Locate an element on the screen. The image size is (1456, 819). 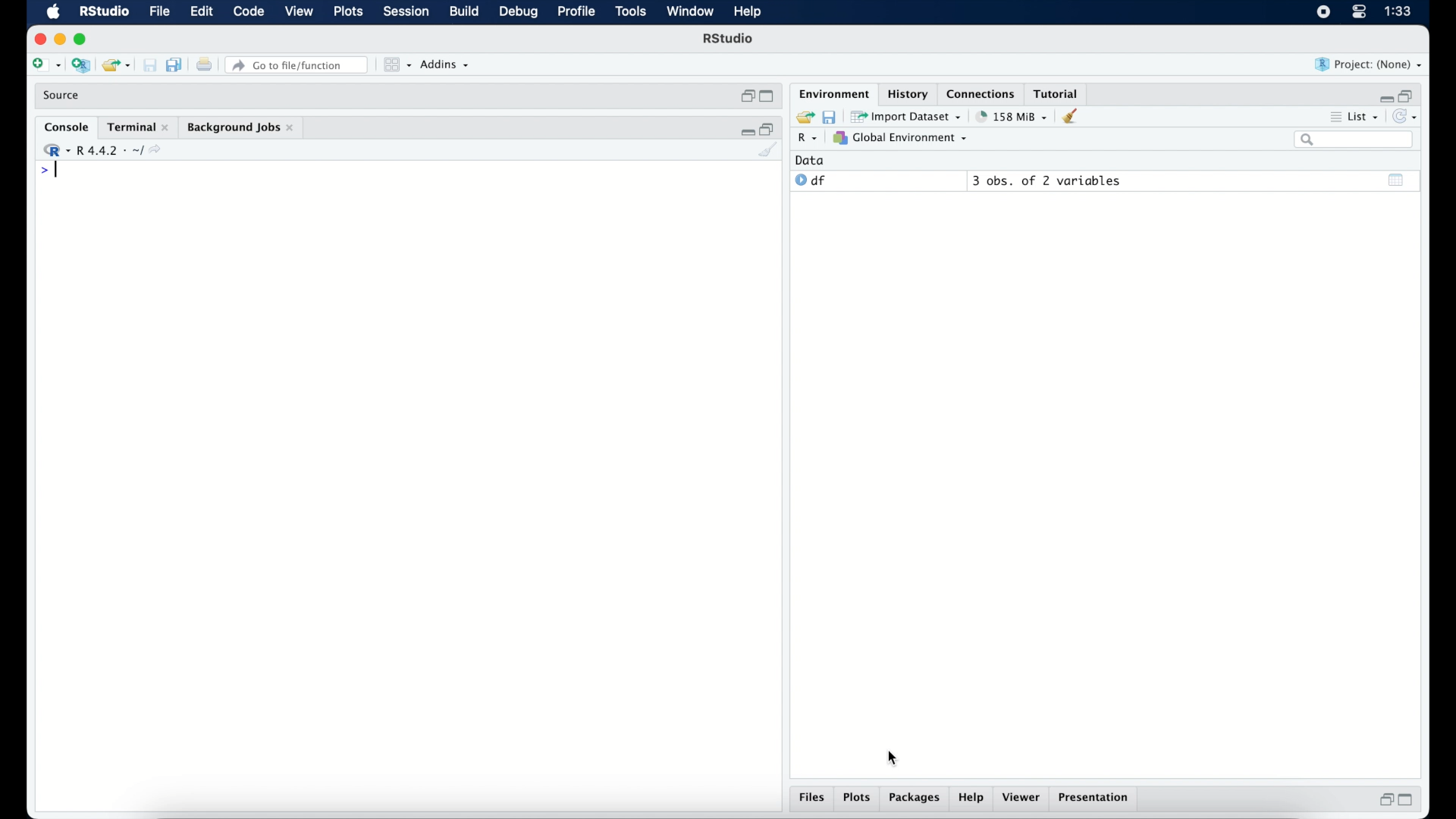
global environment is located at coordinates (905, 139).